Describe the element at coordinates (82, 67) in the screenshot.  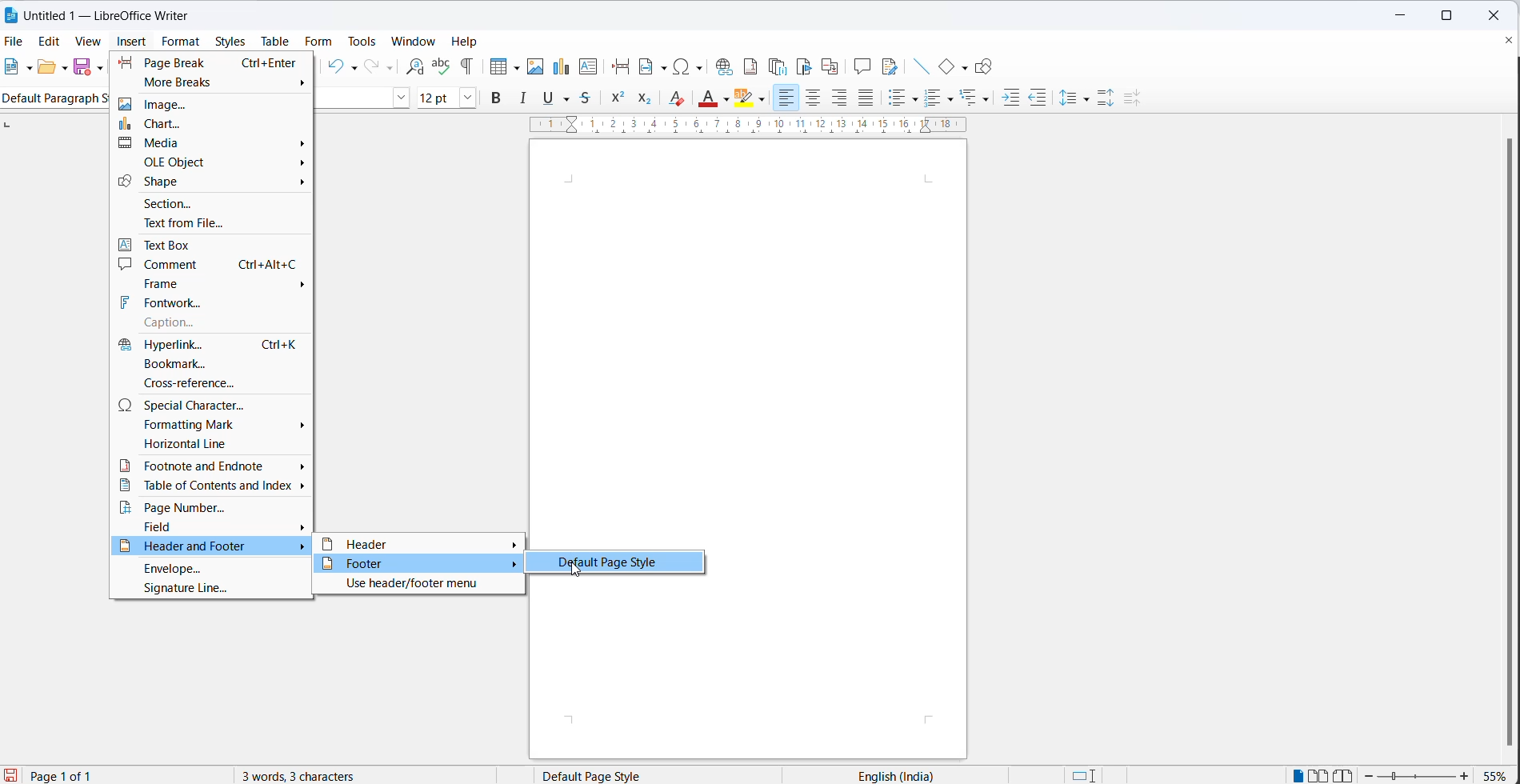
I see `save` at that location.